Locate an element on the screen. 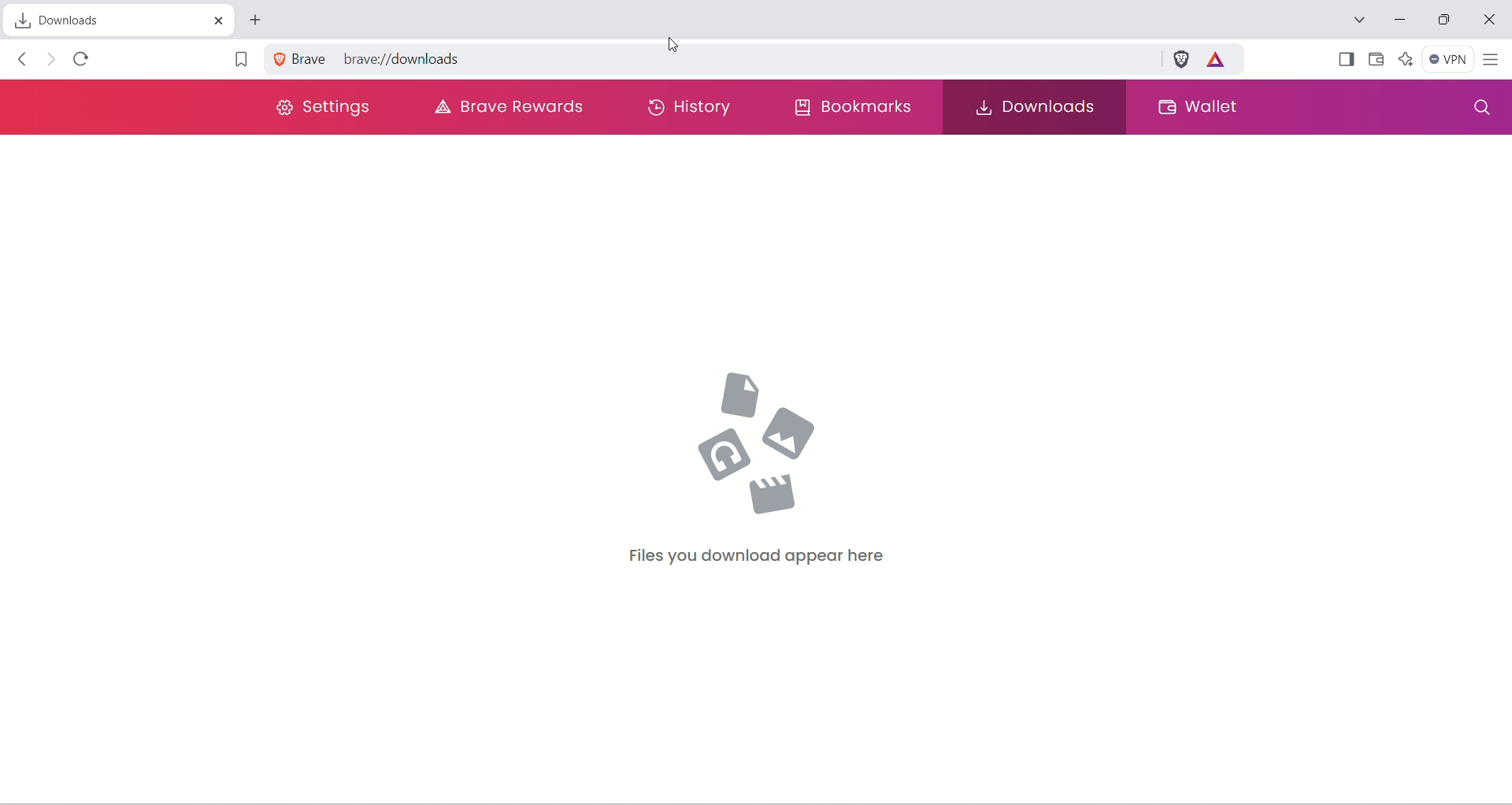  downloads is located at coordinates (1034, 108).